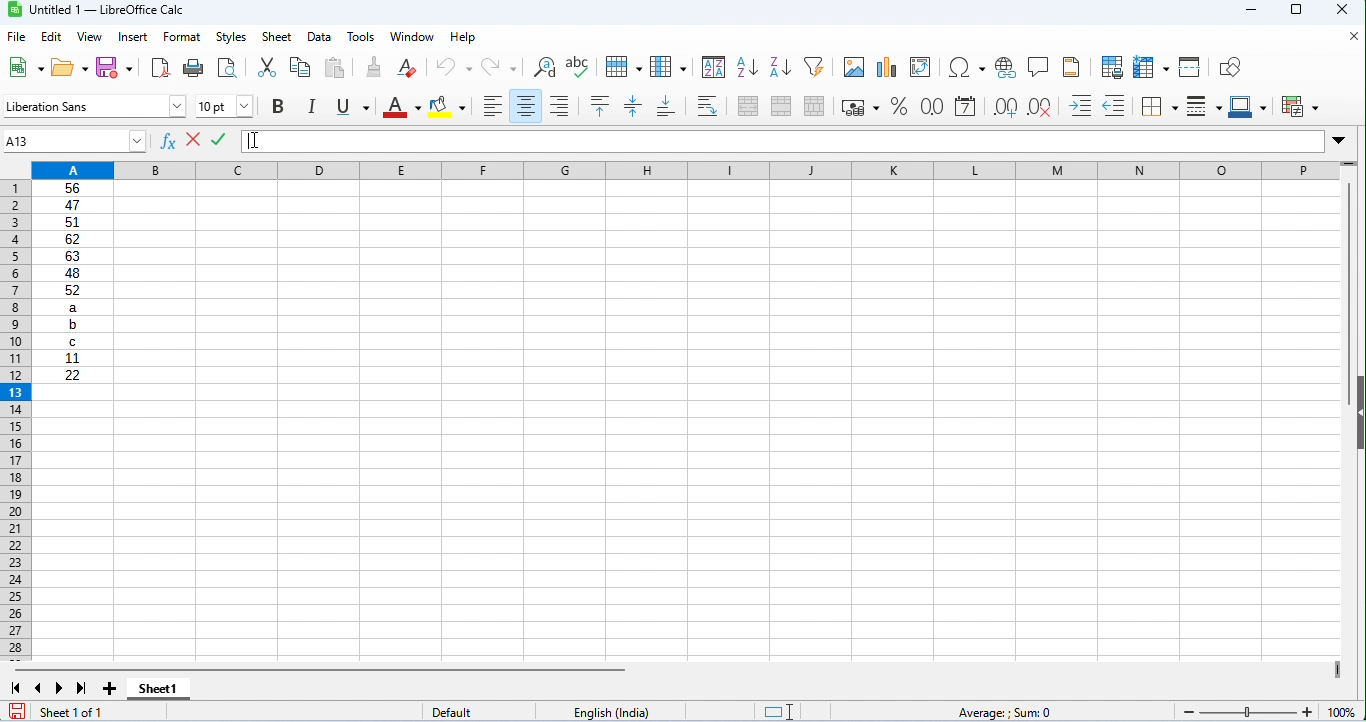 The height and width of the screenshot is (722, 1366). Describe the element at coordinates (1117, 105) in the screenshot. I see `decrease indent` at that location.